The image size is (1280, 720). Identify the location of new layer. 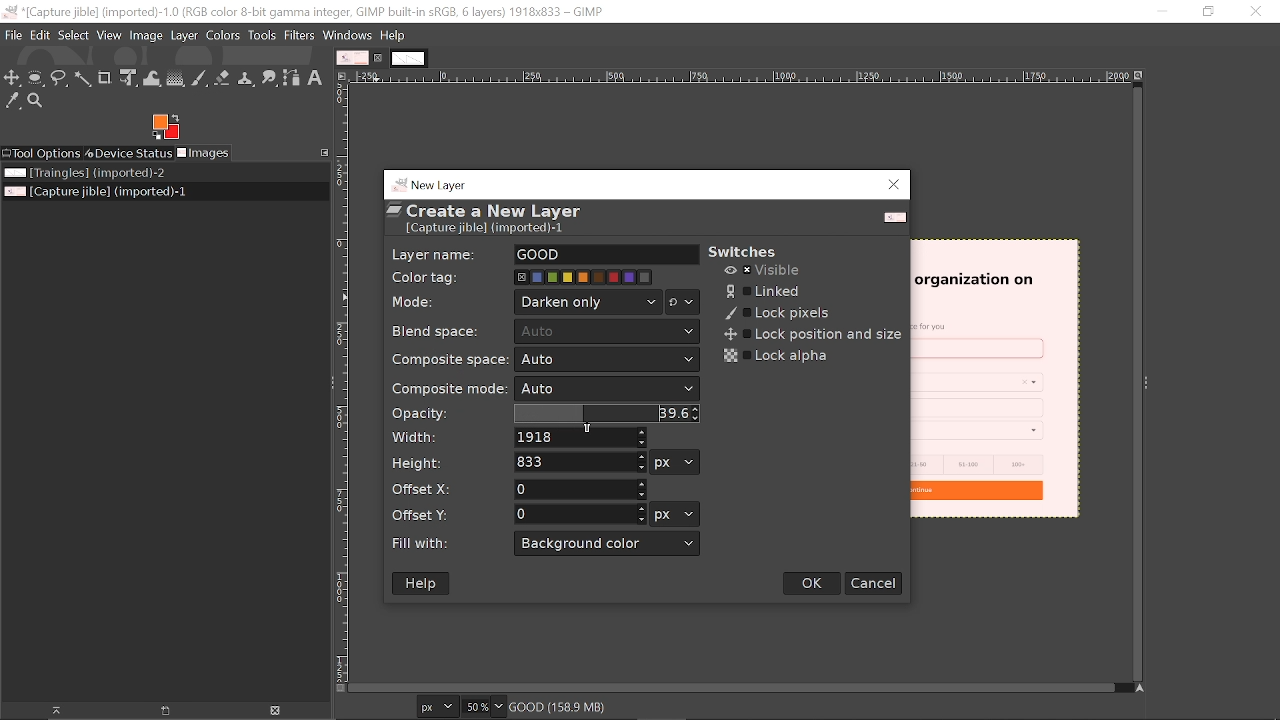
(432, 183).